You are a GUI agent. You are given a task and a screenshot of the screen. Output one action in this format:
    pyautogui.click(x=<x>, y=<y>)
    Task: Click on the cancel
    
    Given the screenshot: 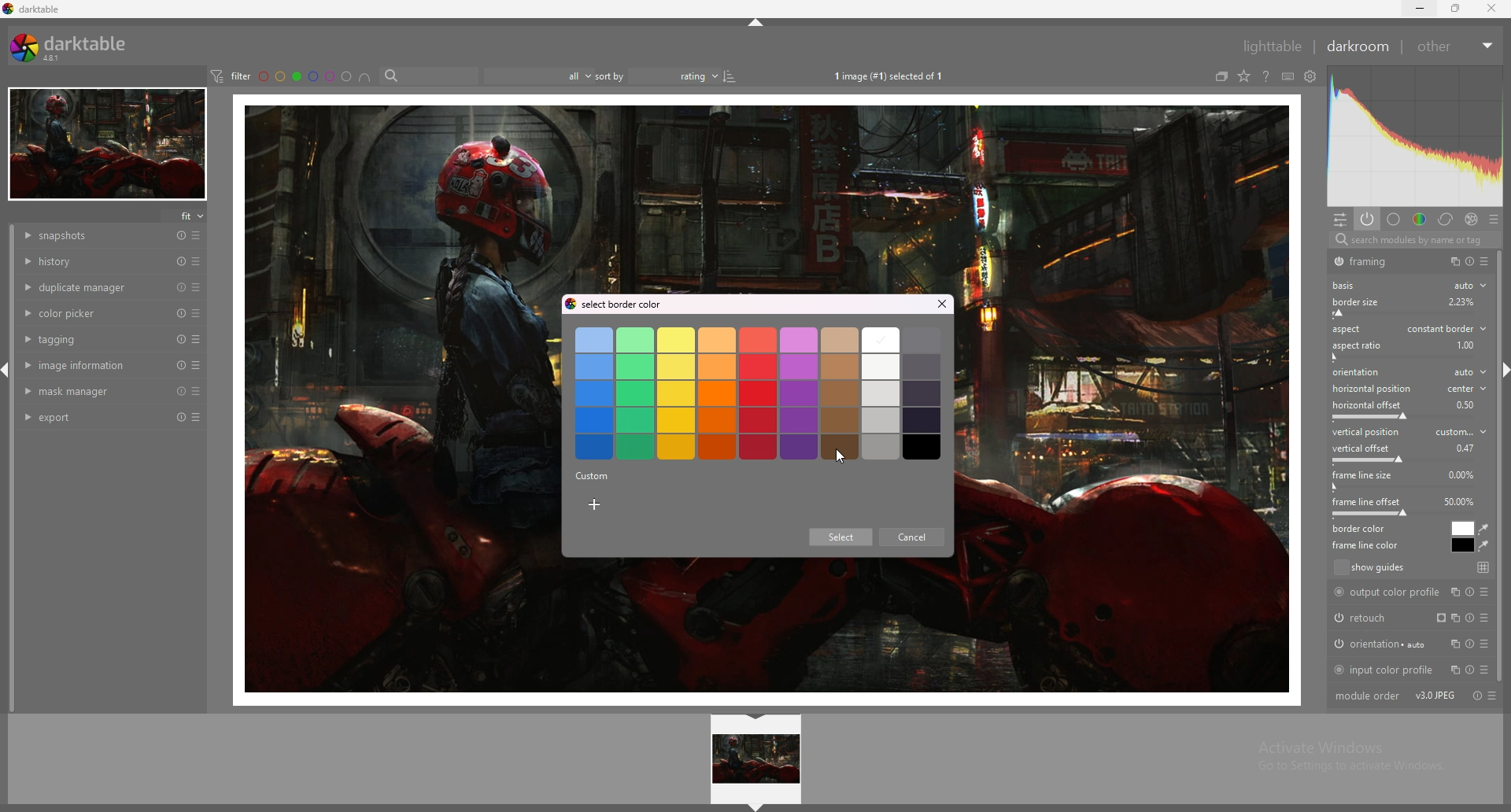 What is the action you would take?
    pyautogui.click(x=913, y=540)
    